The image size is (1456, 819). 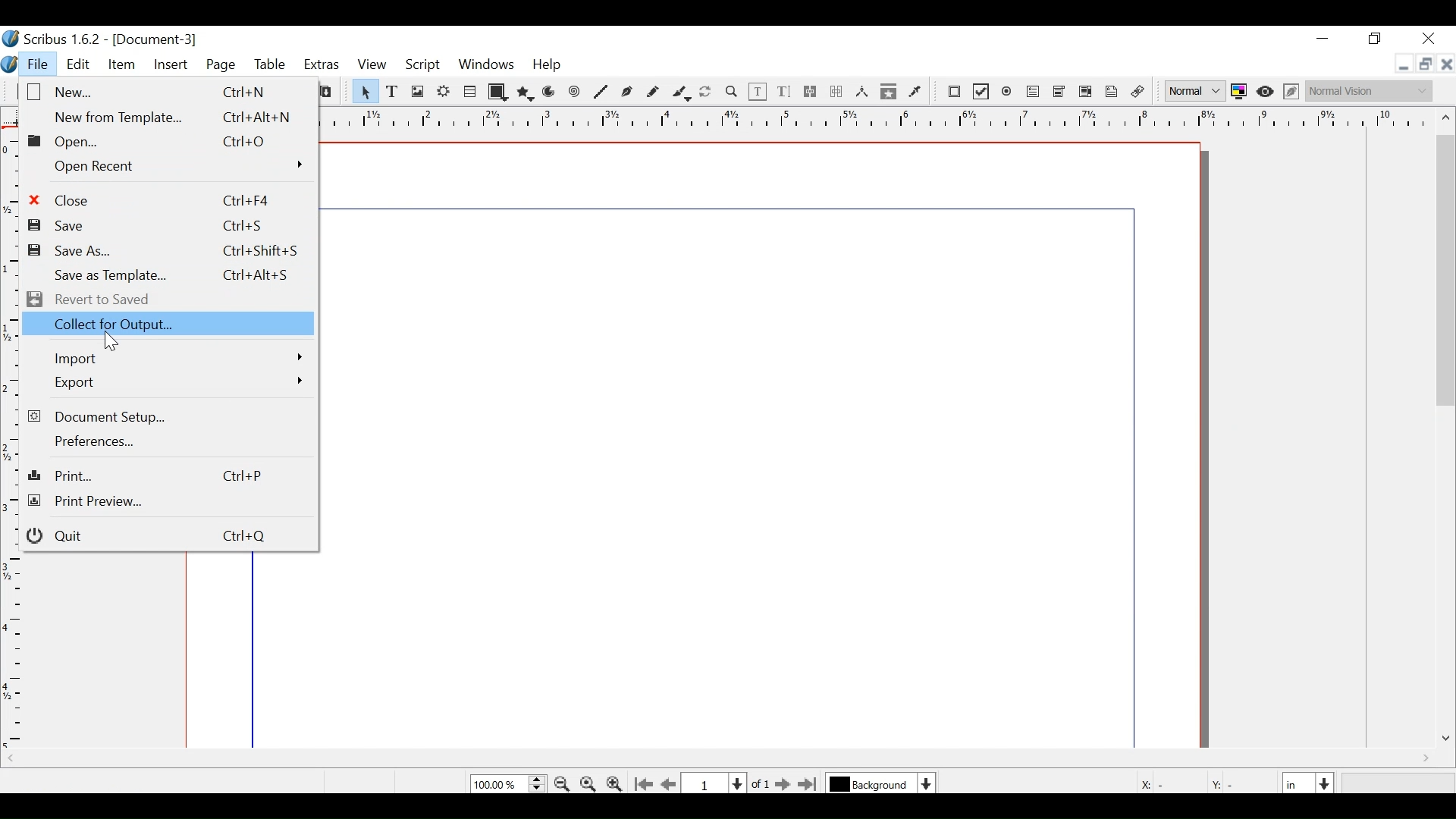 I want to click on Restore, so click(x=1375, y=39).